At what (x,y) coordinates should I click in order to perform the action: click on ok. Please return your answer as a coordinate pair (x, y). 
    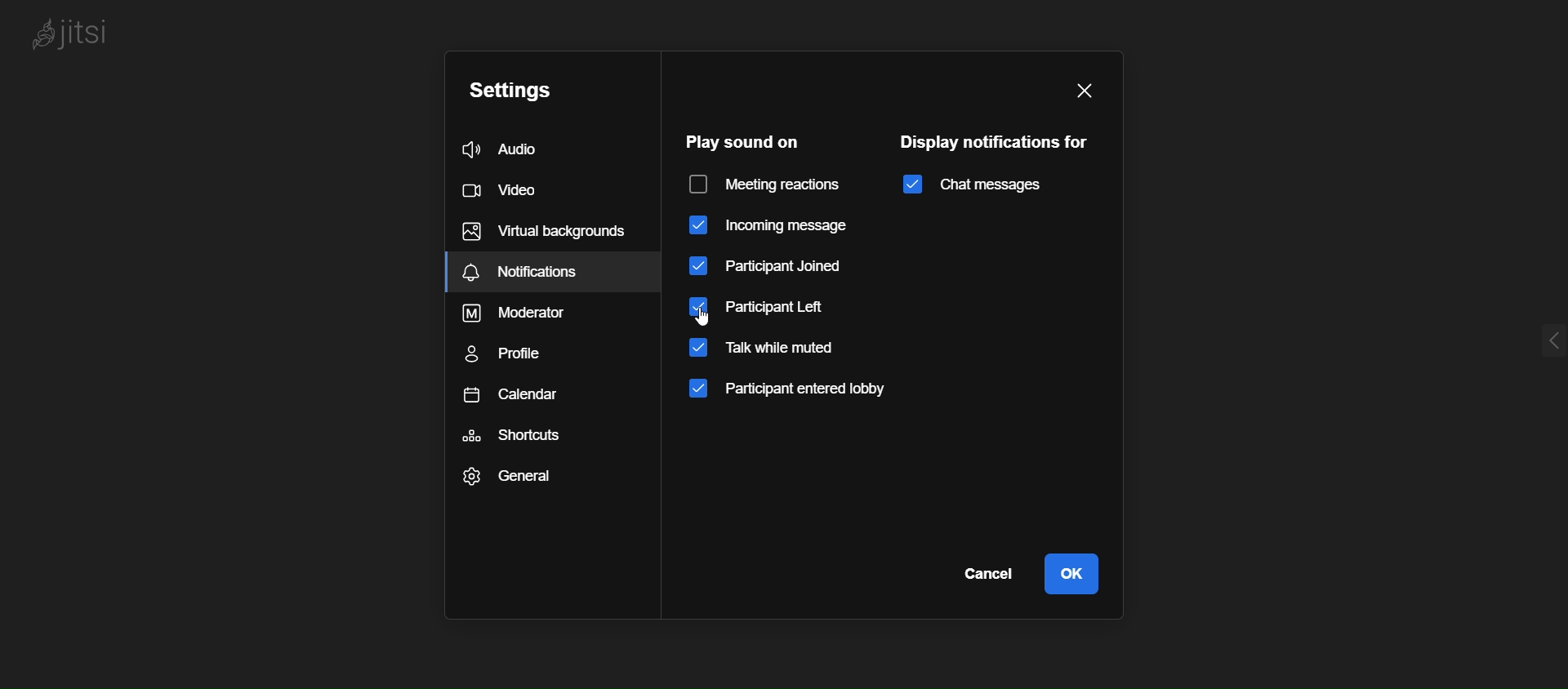
    Looking at the image, I should click on (1080, 577).